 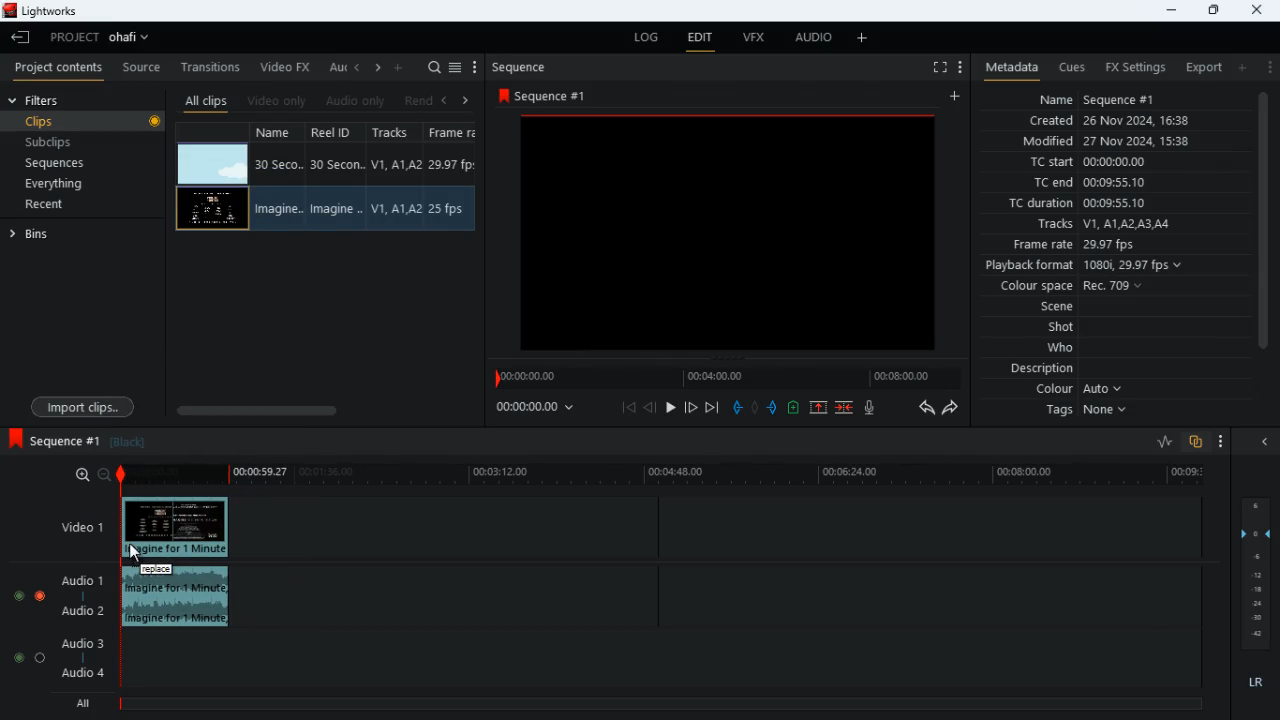 I want to click on recent, so click(x=63, y=206).